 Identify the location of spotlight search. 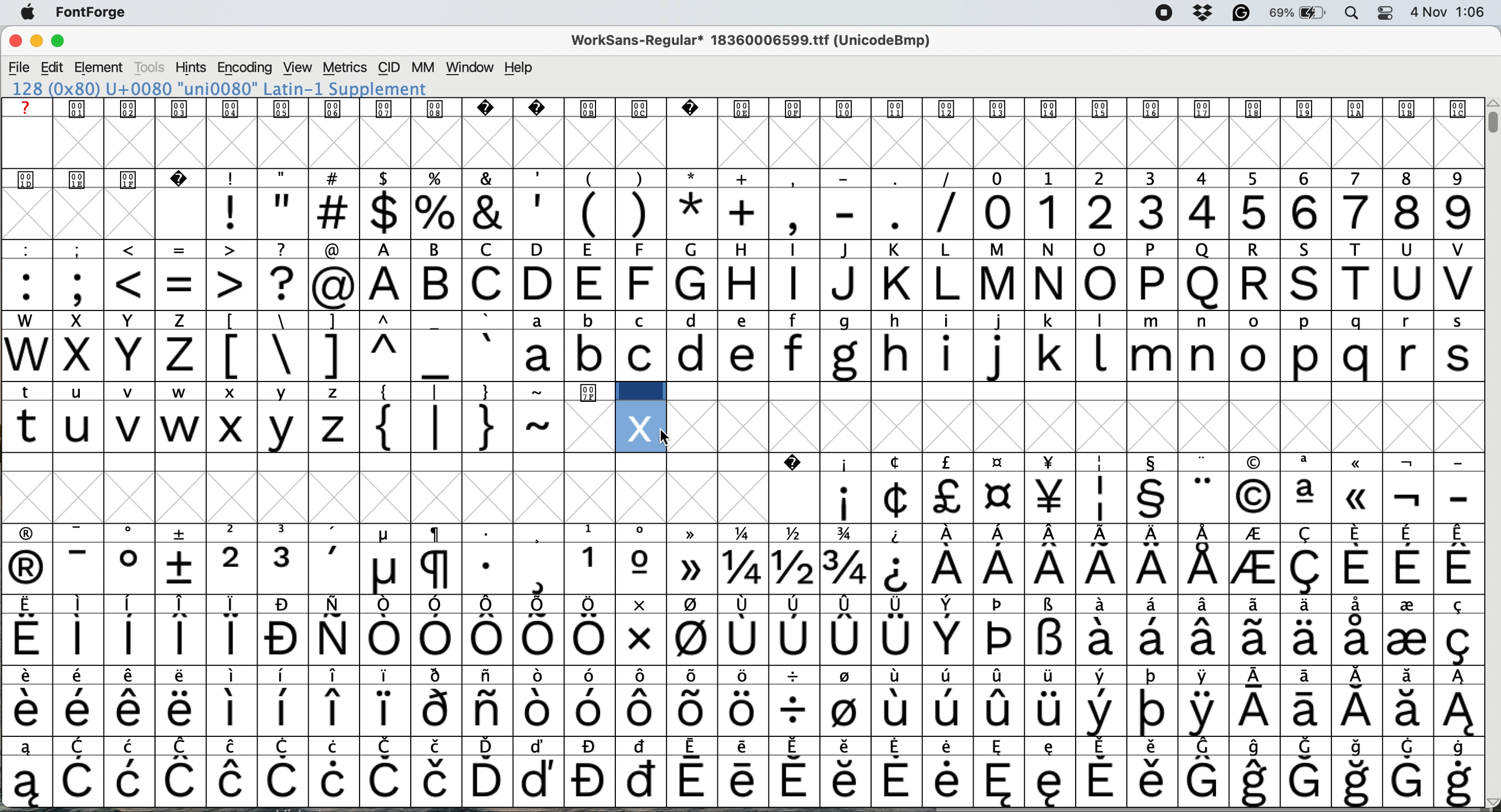
(1352, 14).